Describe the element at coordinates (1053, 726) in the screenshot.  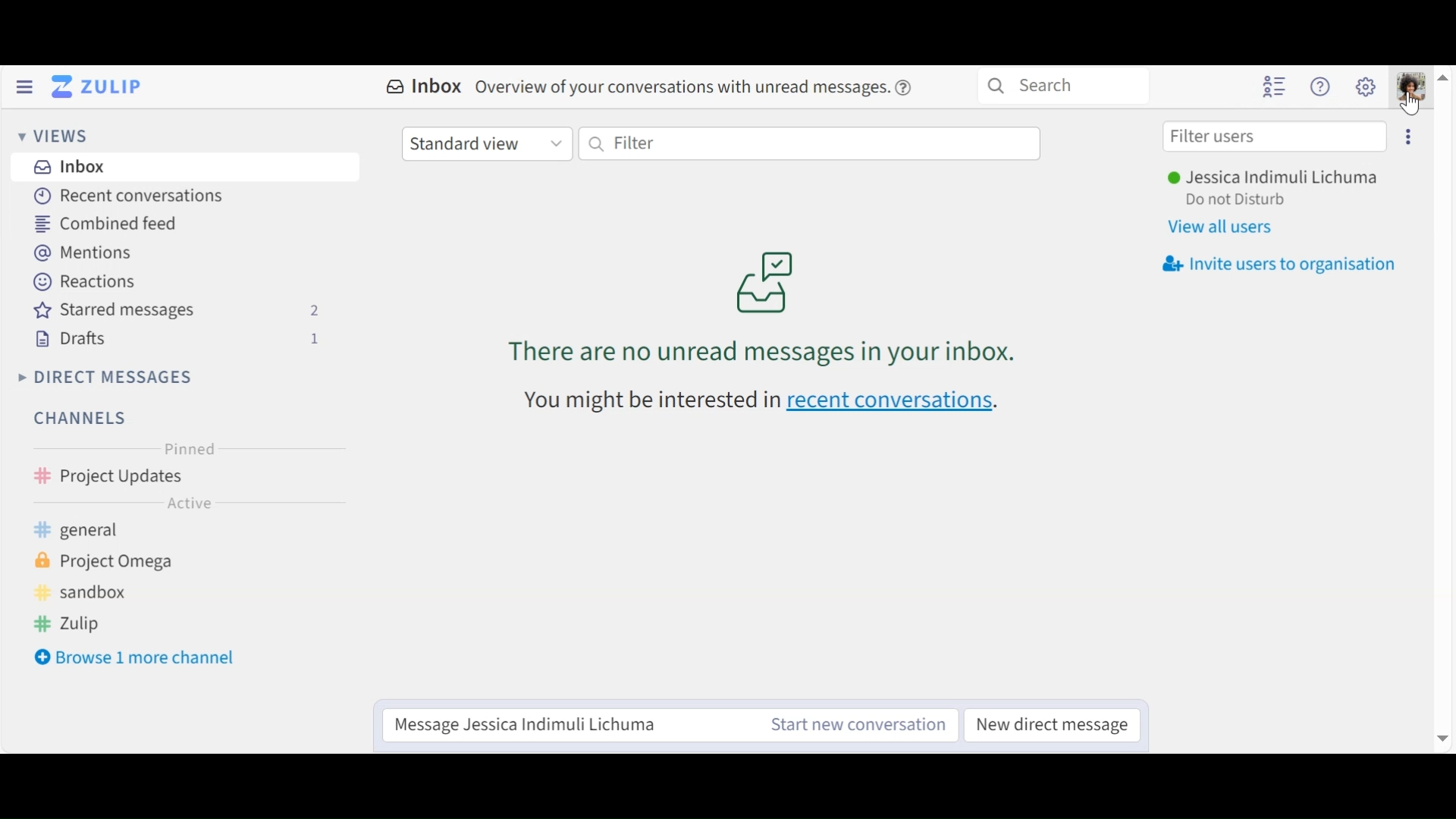
I see `` at that location.